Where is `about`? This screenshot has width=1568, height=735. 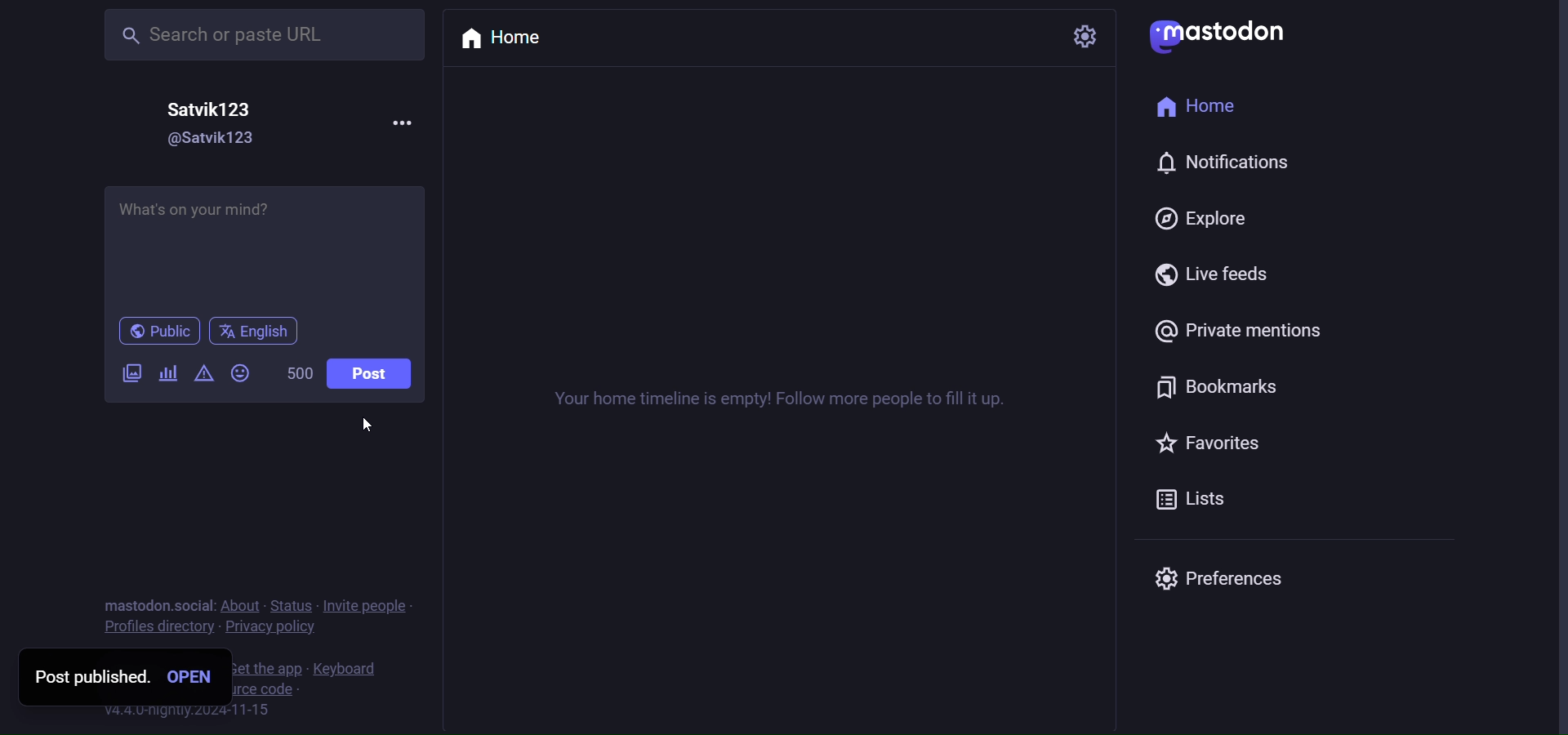
about is located at coordinates (244, 607).